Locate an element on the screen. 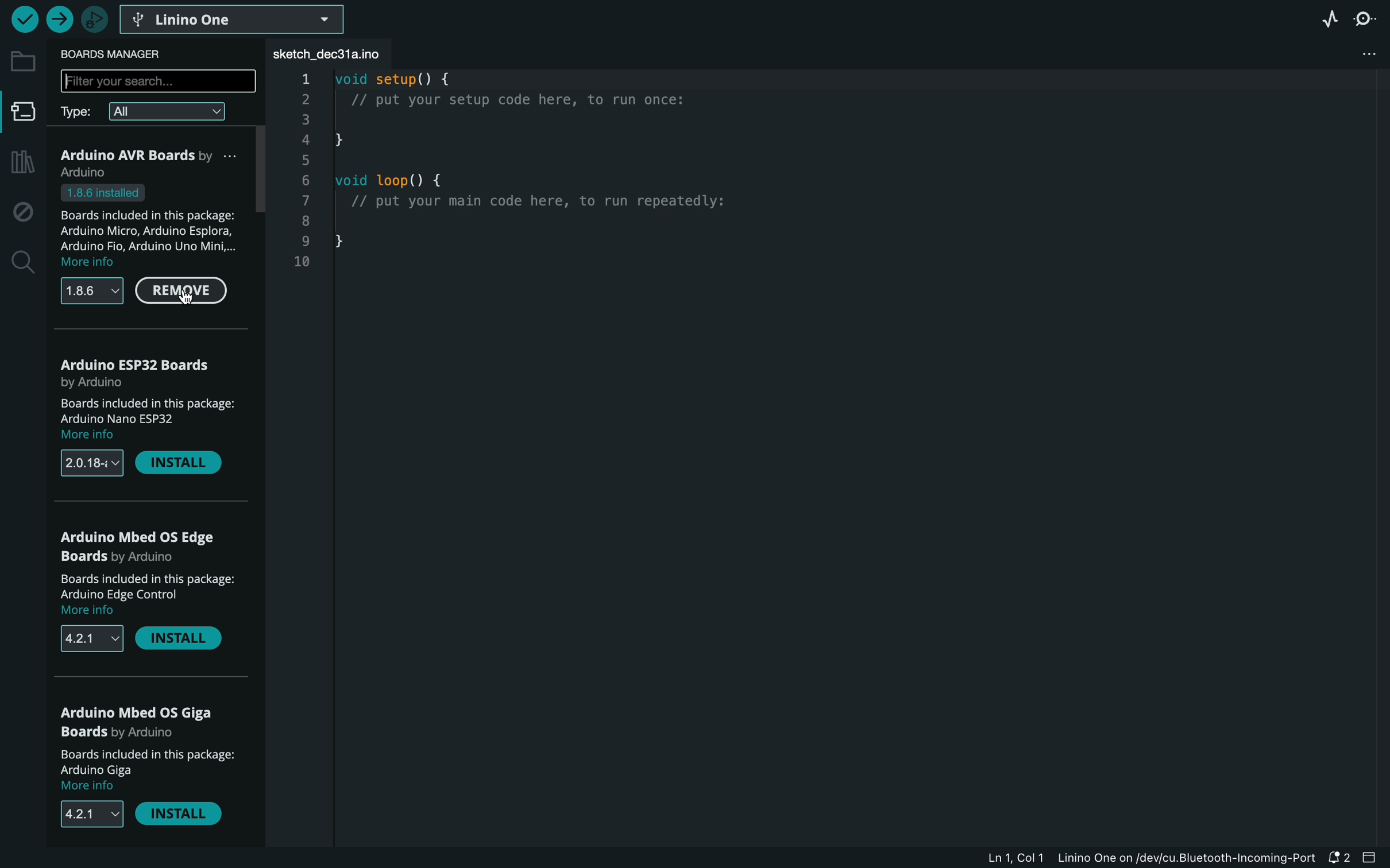 This screenshot has width=1390, height=868. type filter is located at coordinates (147, 111).